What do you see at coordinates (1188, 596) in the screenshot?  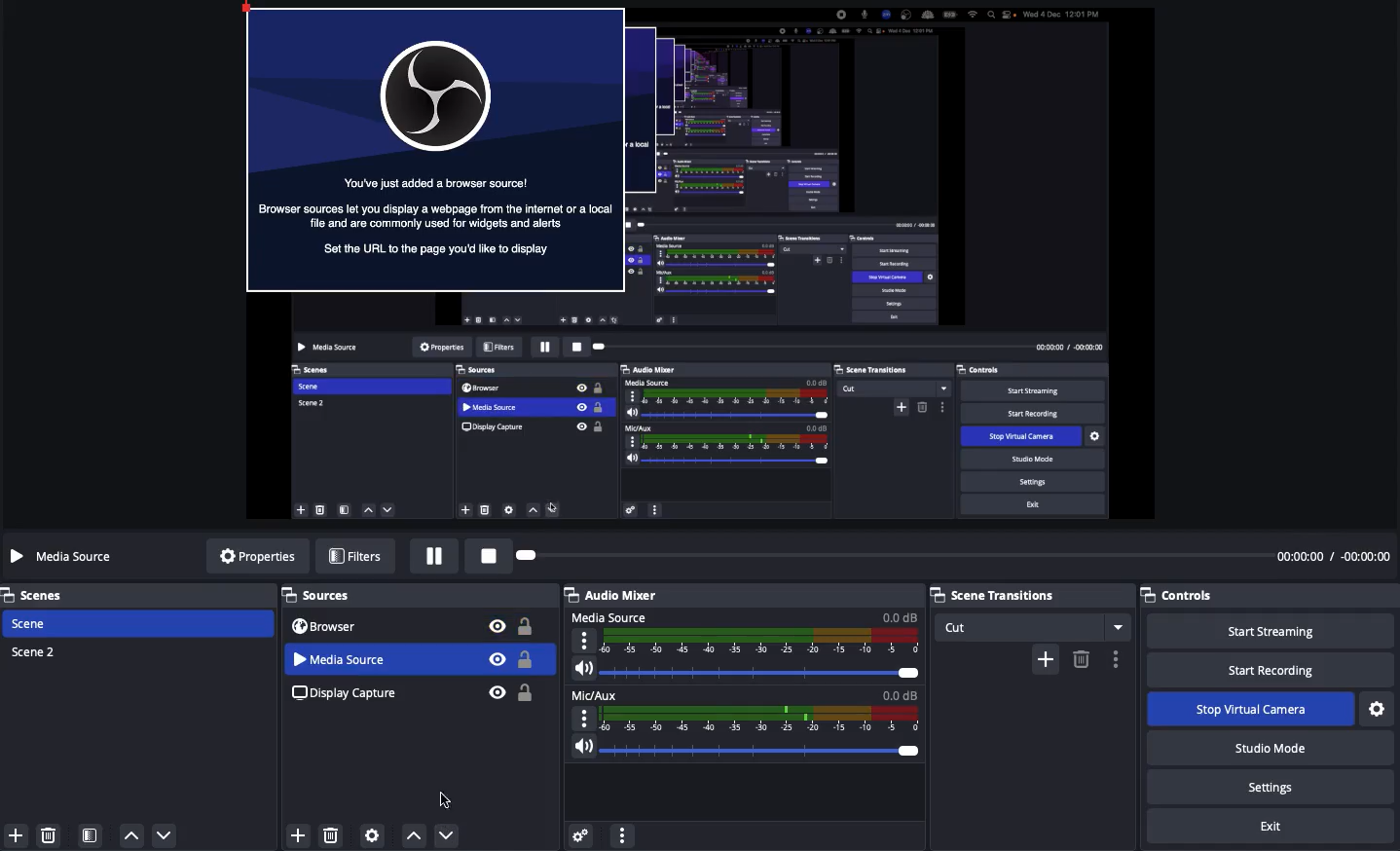 I see `Controls` at bounding box center [1188, 596].